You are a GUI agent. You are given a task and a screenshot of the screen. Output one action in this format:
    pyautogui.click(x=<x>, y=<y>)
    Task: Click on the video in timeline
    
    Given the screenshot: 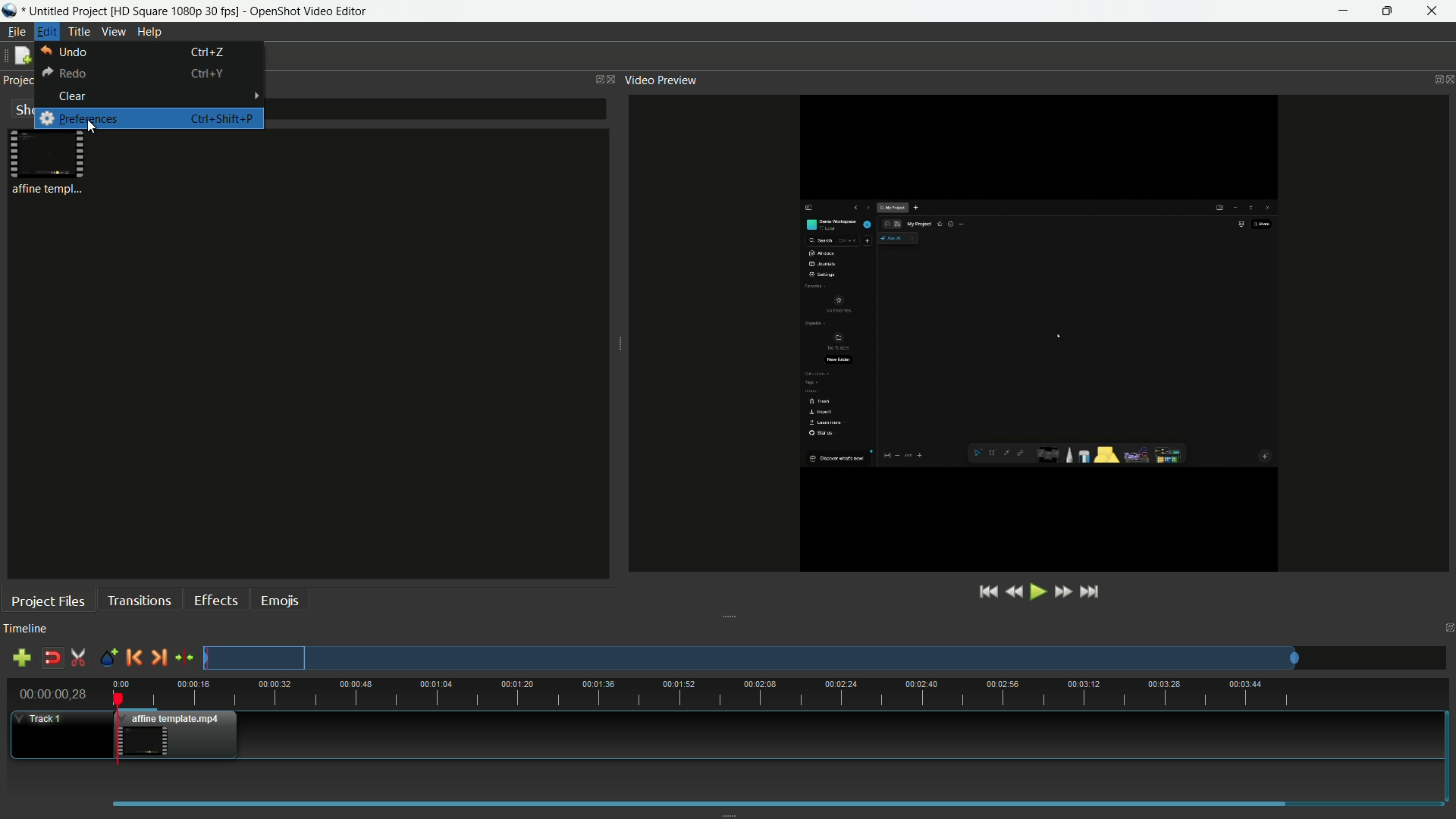 What is the action you would take?
    pyautogui.click(x=180, y=735)
    